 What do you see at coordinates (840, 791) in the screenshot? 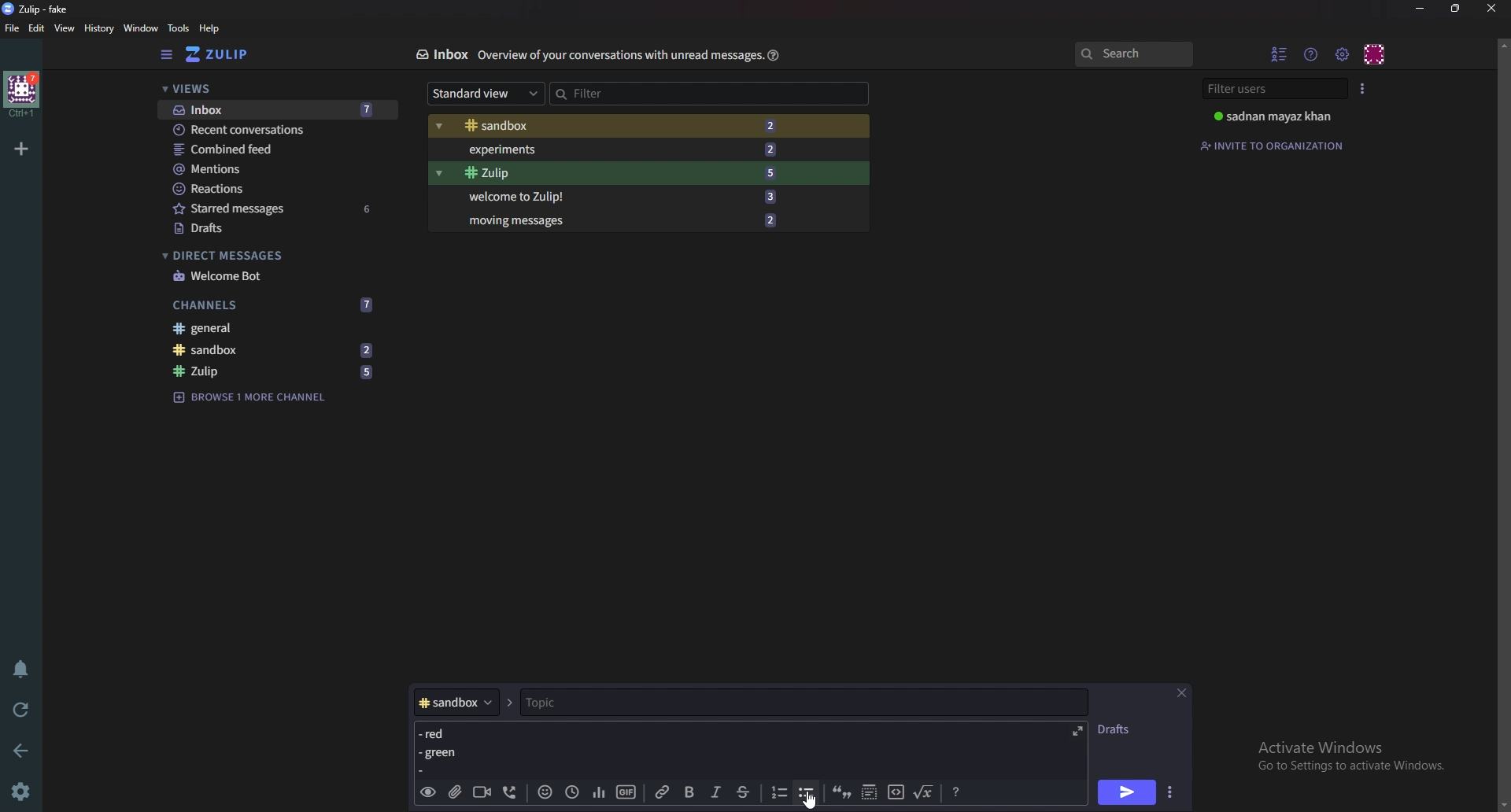
I see `quote` at bounding box center [840, 791].